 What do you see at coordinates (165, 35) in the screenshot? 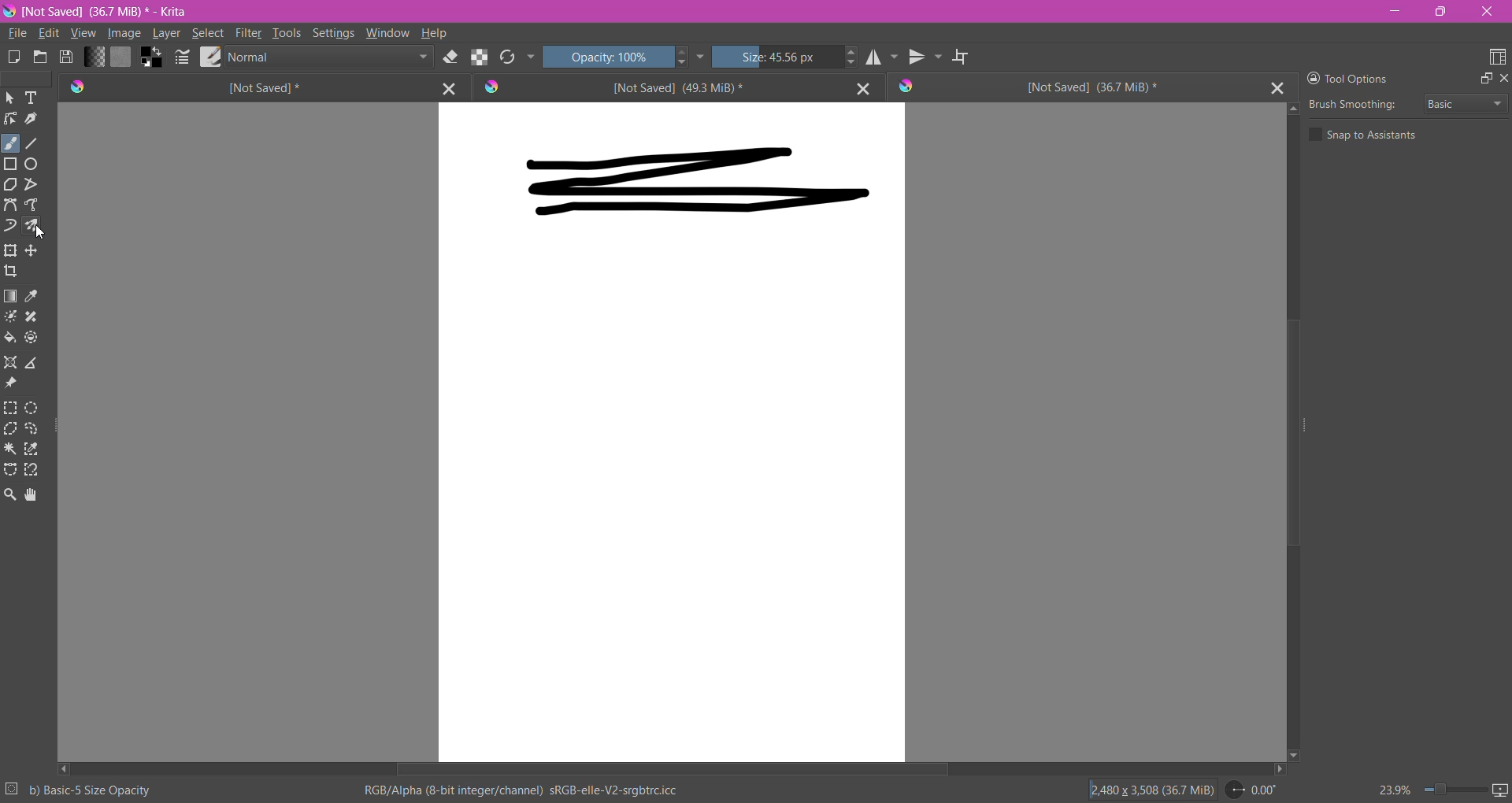
I see `Layer` at bounding box center [165, 35].